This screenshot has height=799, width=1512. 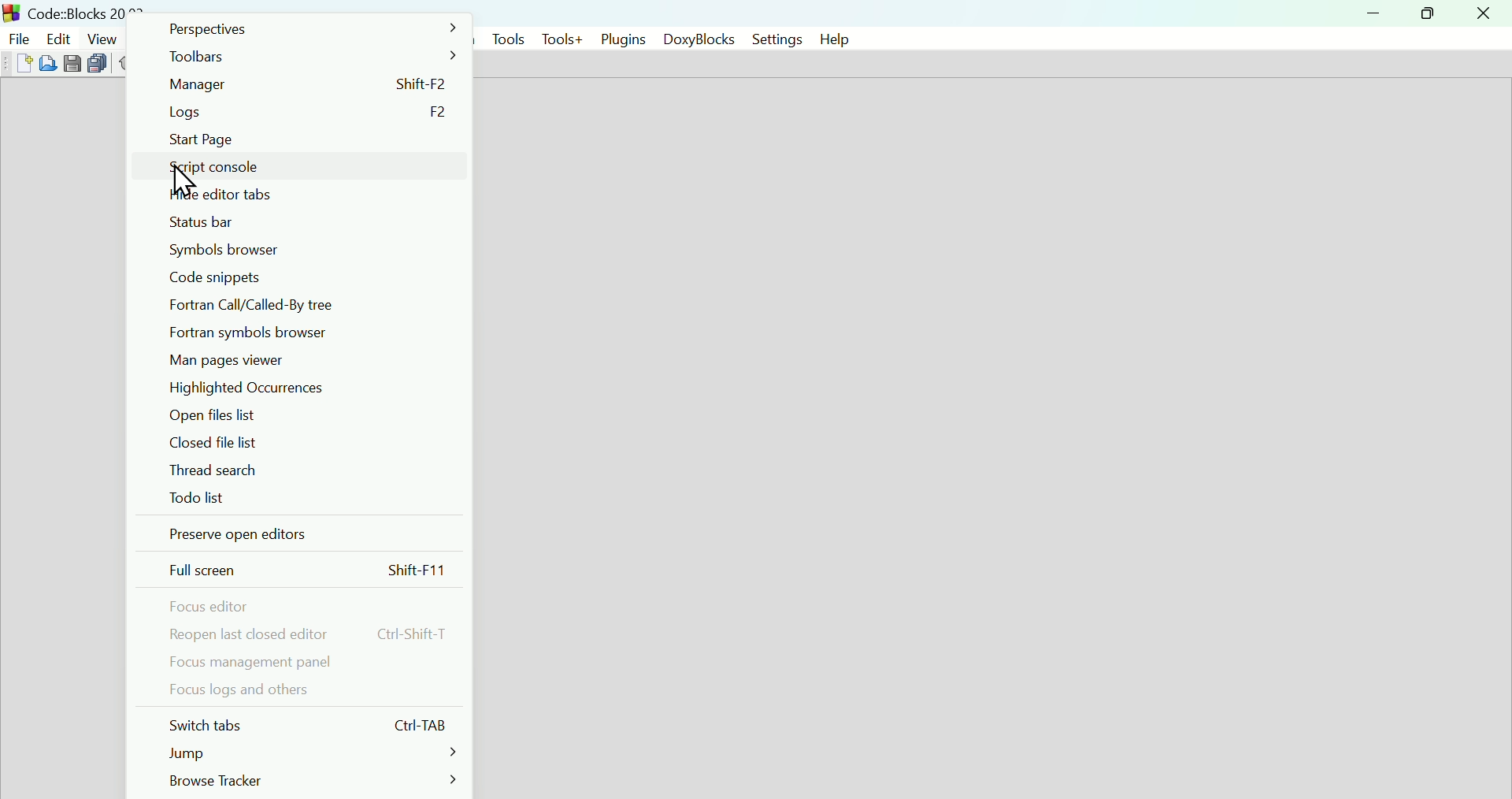 What do you see at coordinates (1373, 13) in the screenshot?
I see `minimize` at bounding box center [1373, 13].